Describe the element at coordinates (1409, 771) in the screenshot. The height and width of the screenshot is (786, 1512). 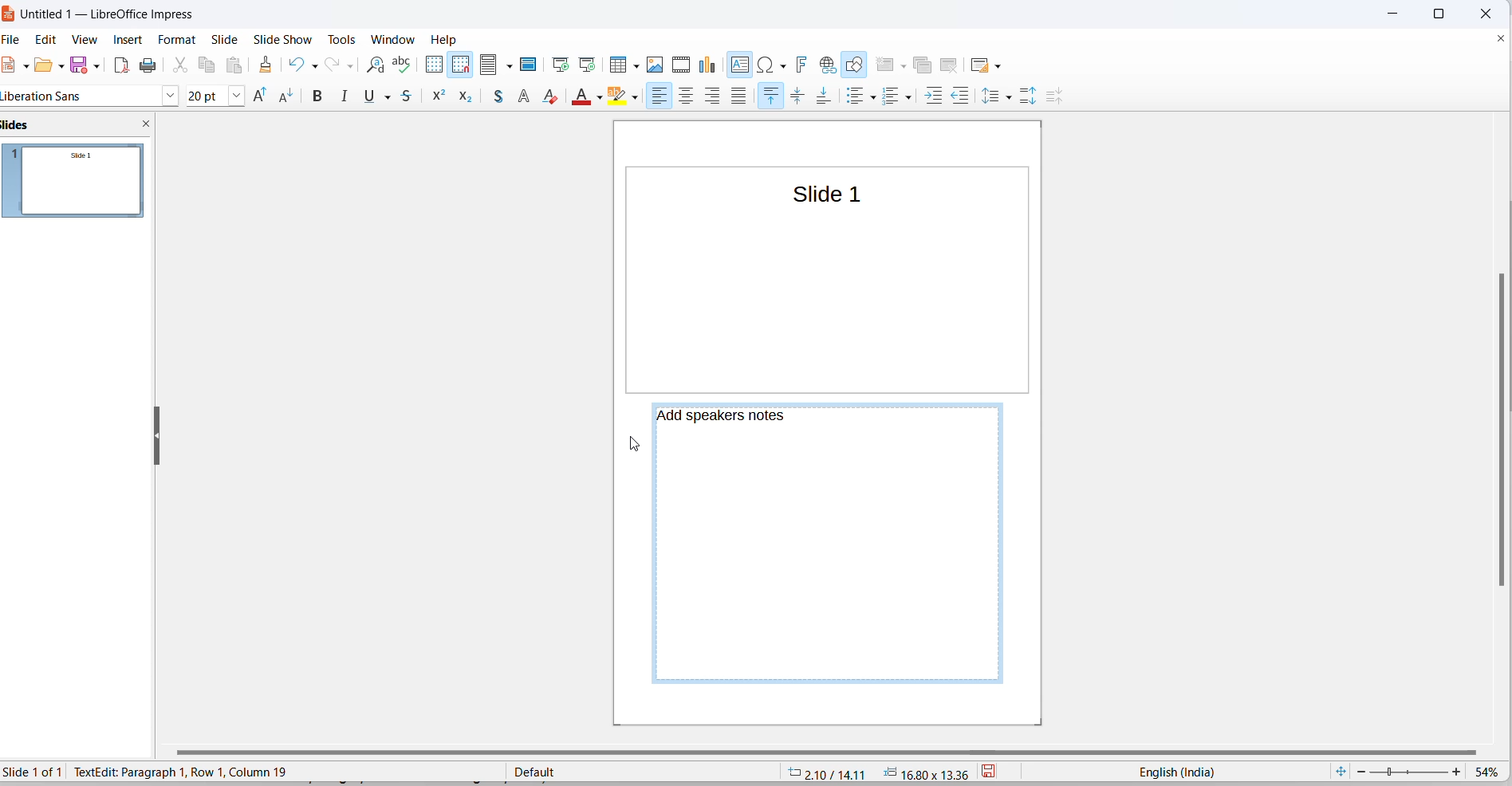
I see `zoom slider` at that location.